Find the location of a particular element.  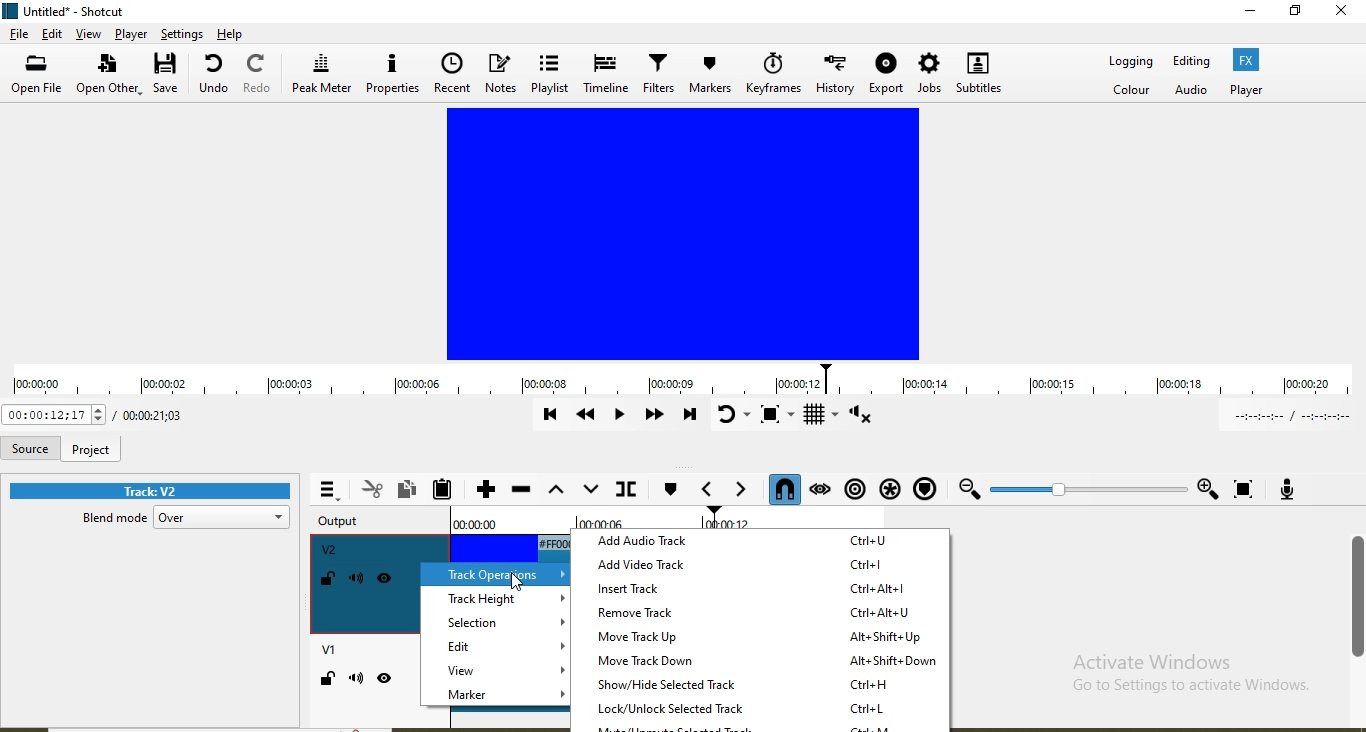

Peak meter is located at coordinates (321, 78).